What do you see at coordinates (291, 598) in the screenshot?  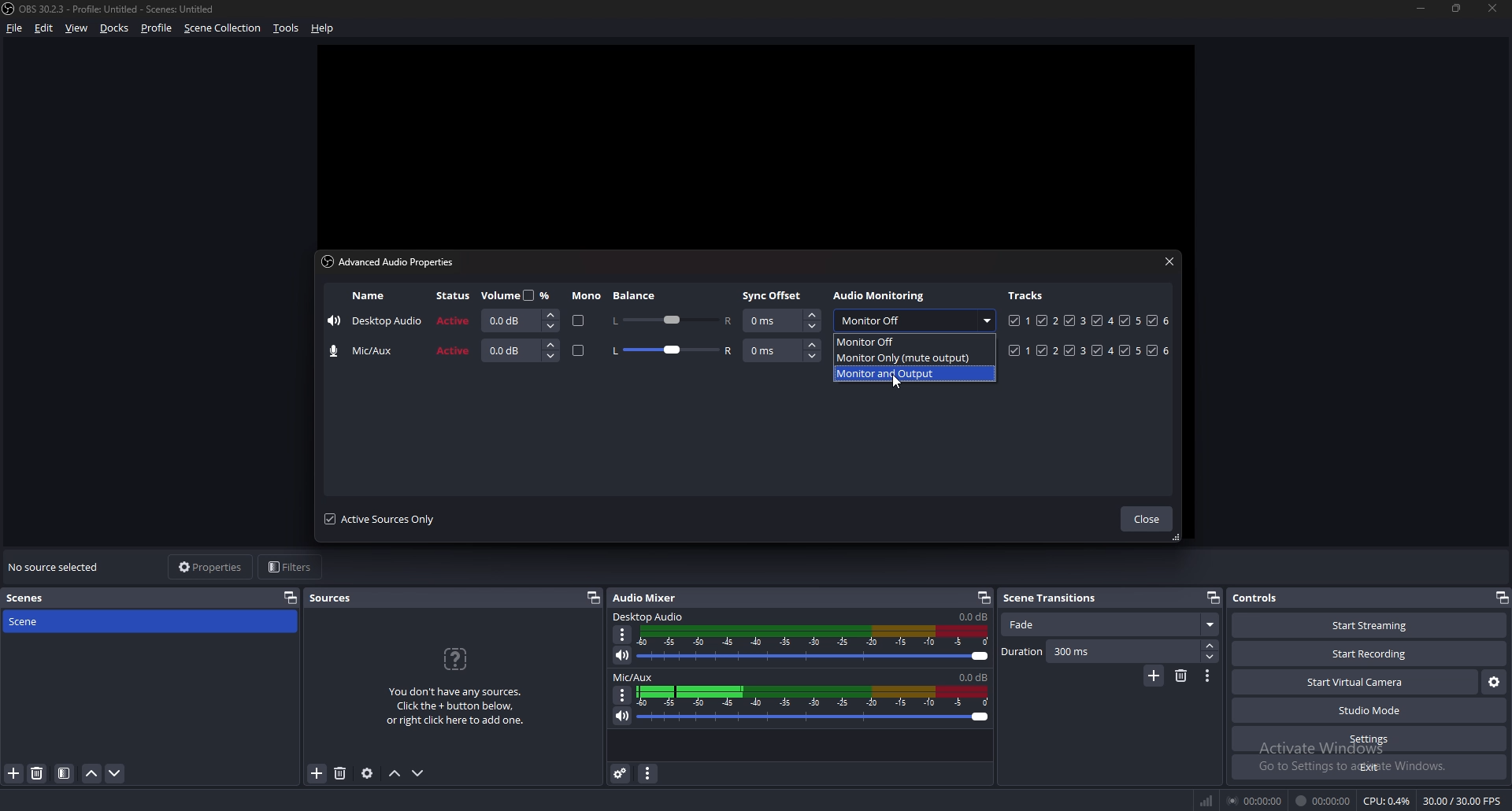 I see `pop out` at bounding box center [291, 598].